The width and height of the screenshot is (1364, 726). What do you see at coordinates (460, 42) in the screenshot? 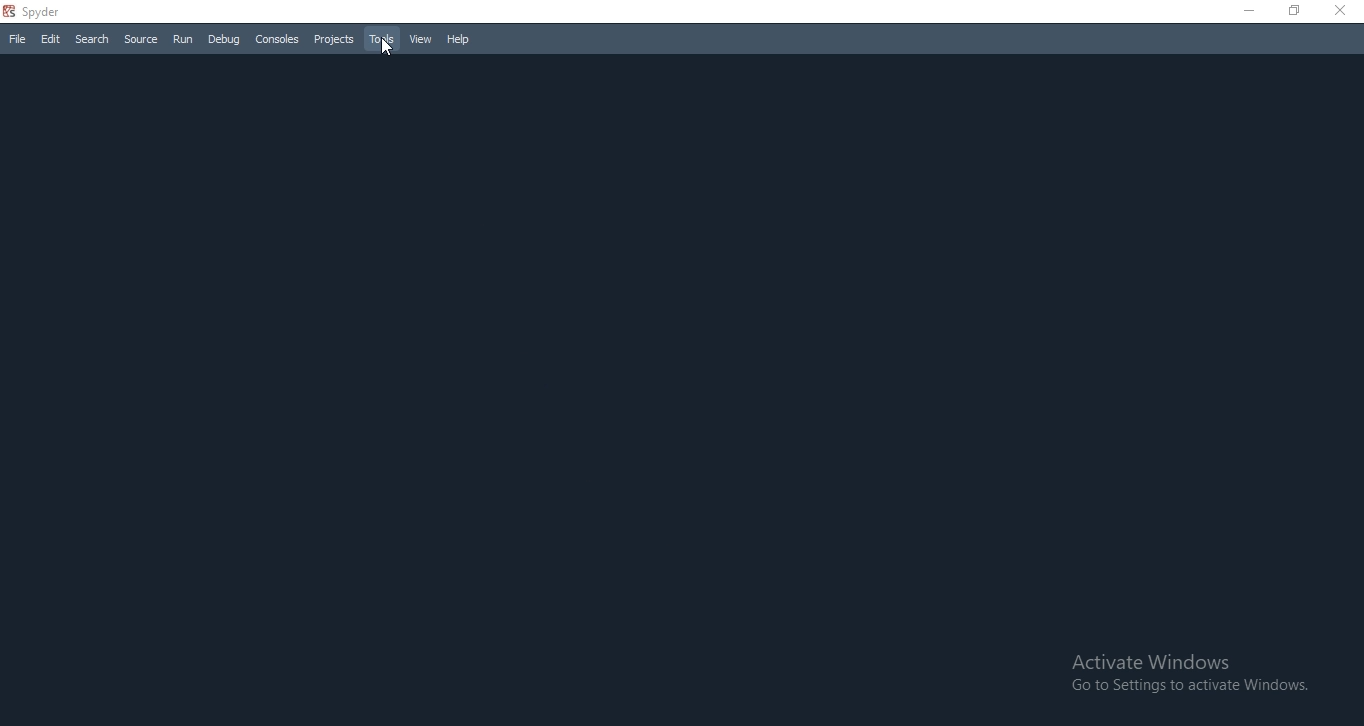
I see `Help` at bounding box center [460, 42].